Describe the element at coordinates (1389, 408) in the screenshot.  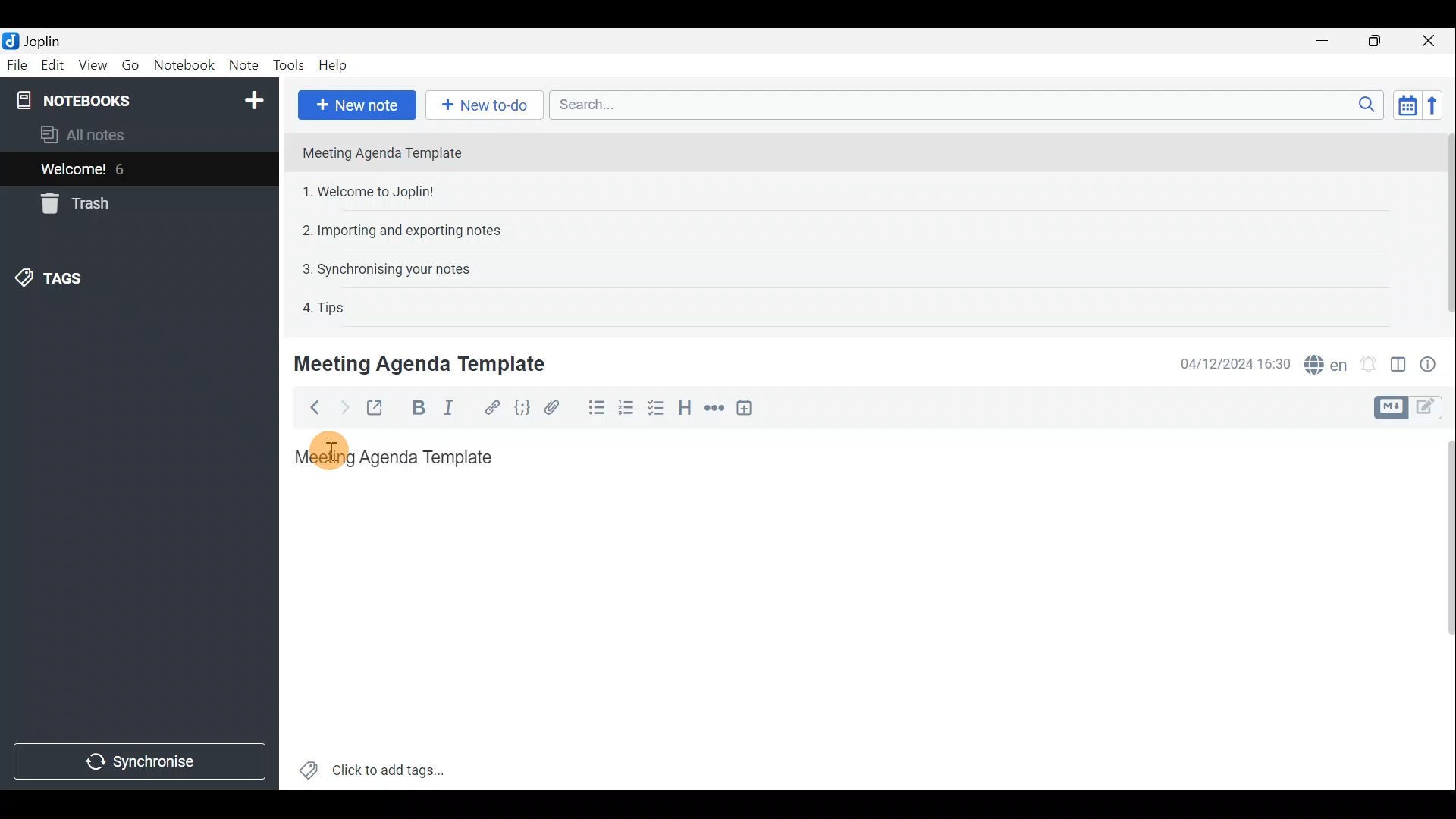
I see `Toggle editors` at that location.